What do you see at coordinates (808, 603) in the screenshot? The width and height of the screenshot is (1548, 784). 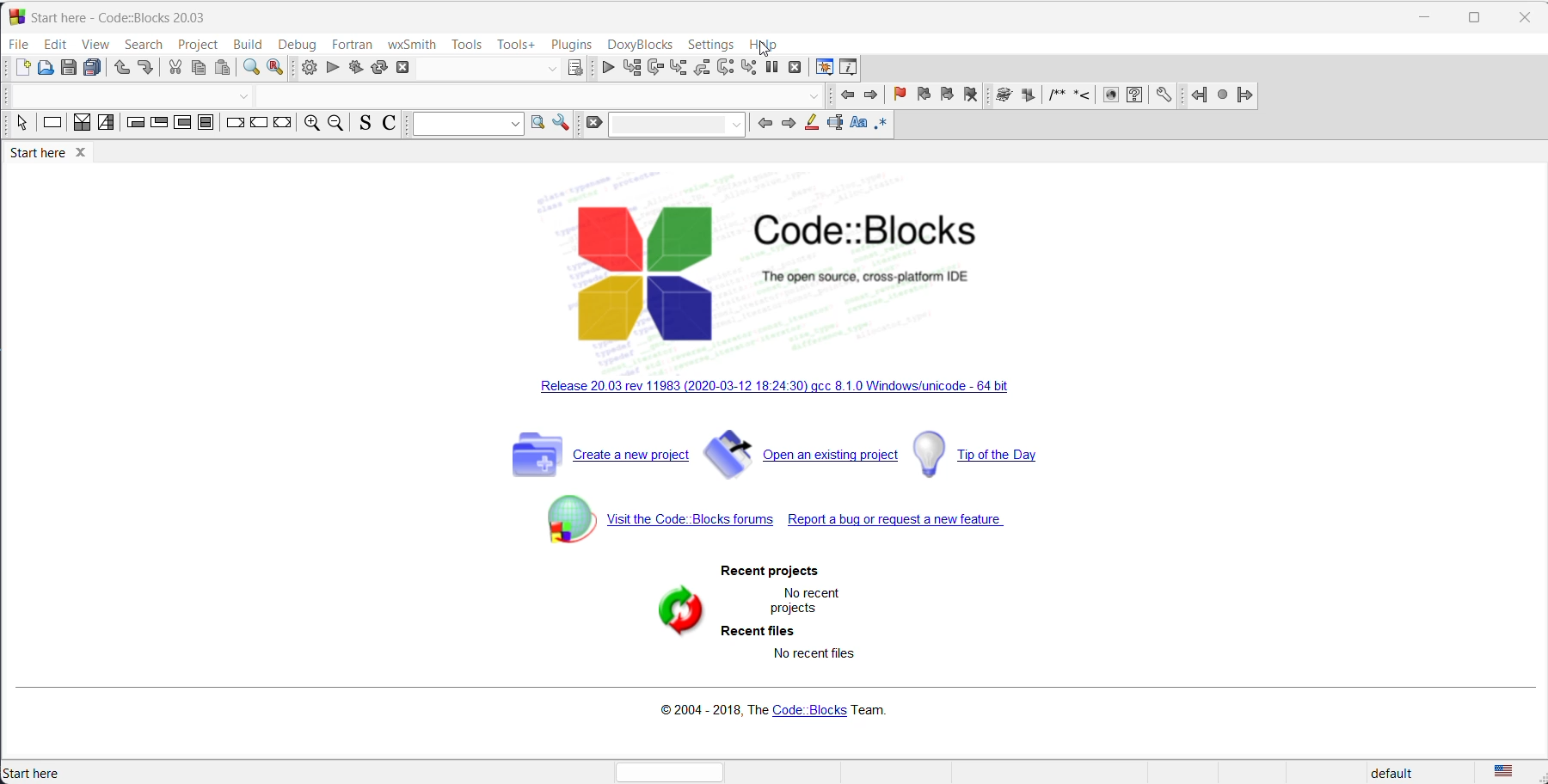 I see `no recent project` at bounding box center [808, 603].